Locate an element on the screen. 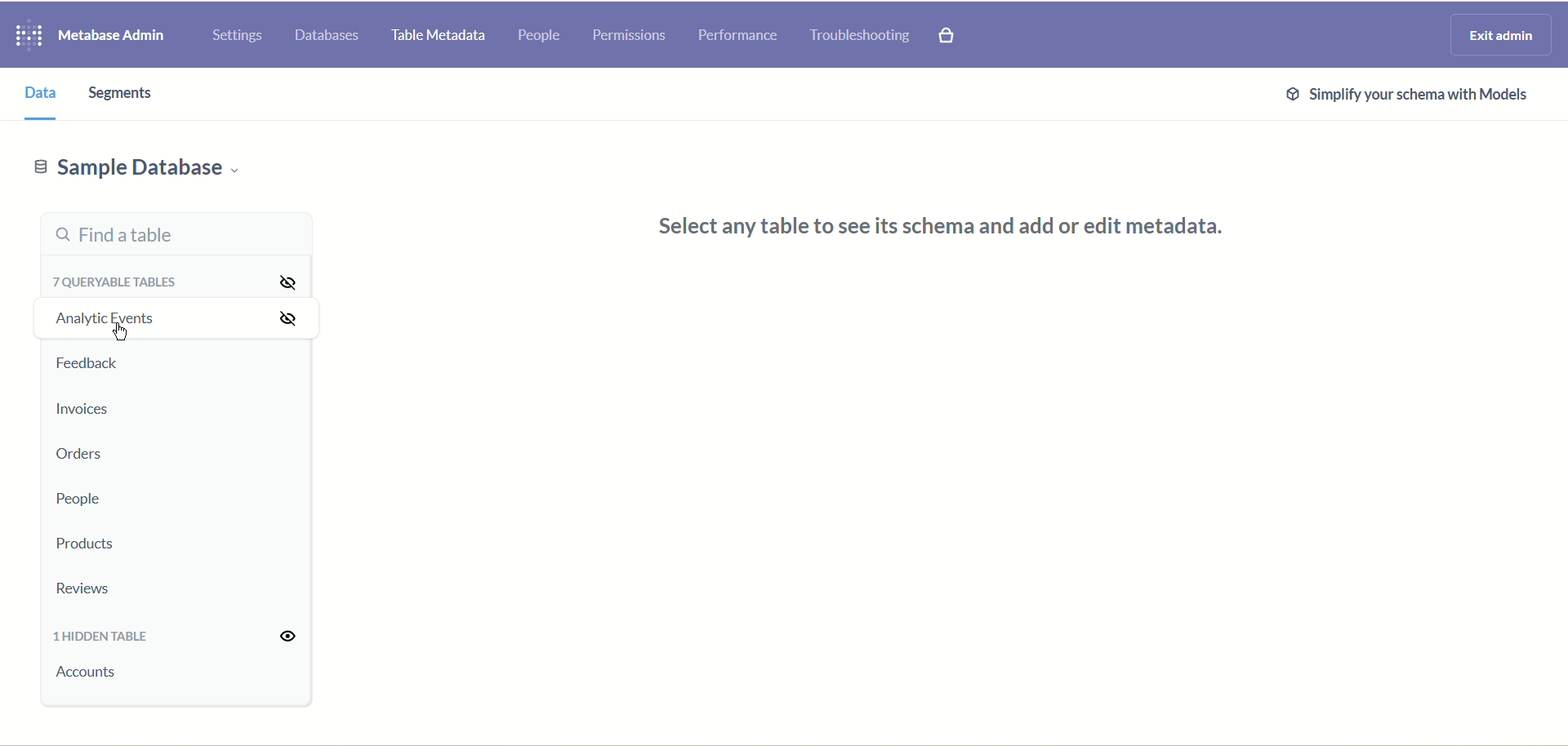 The image size is (1568, 746). metabase admin is located at coordinates (110, 37).